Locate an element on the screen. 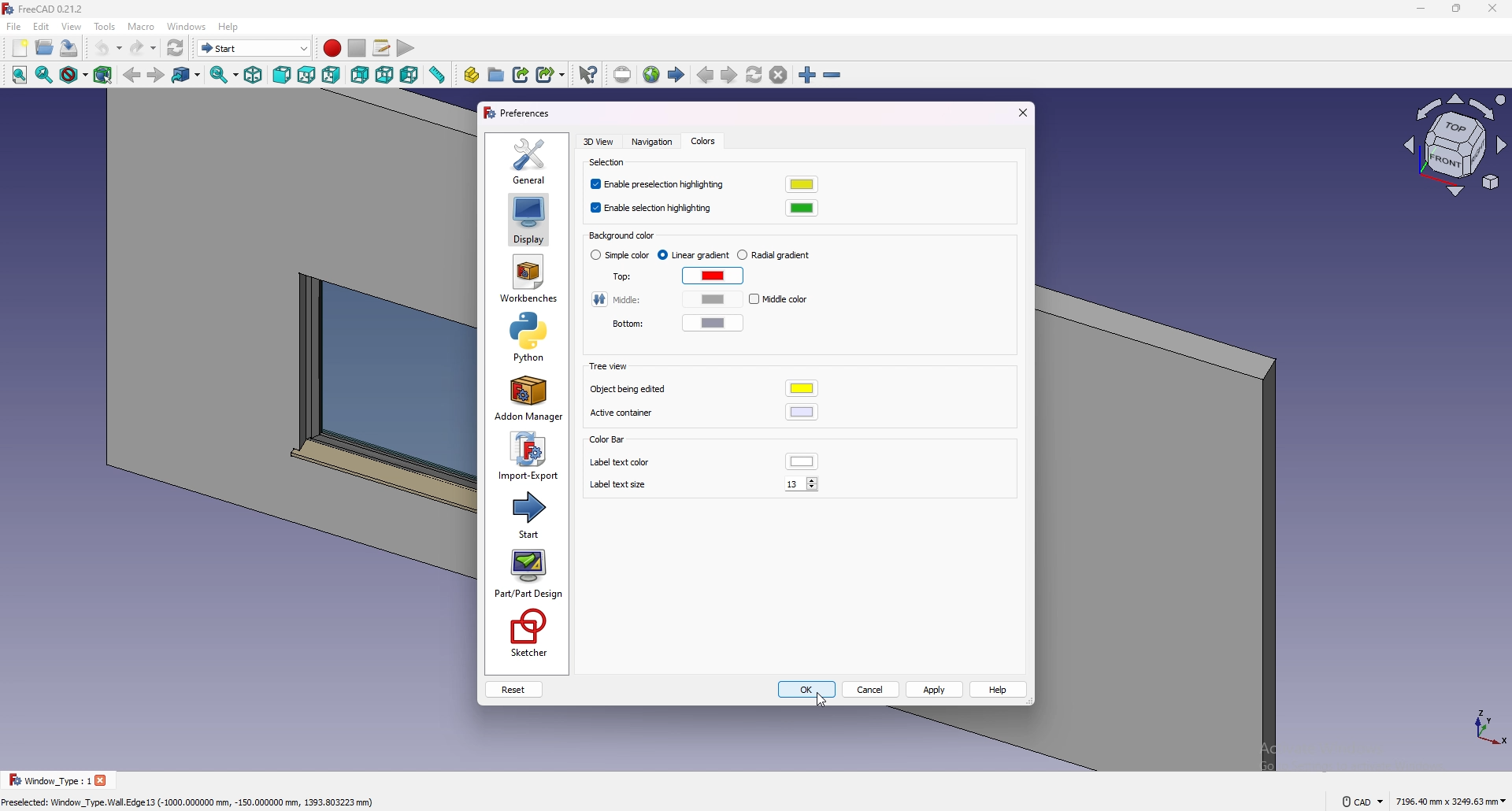 The height and width of the screenshot is (811, 1512). 3d view is located at coordinates (600, 141).